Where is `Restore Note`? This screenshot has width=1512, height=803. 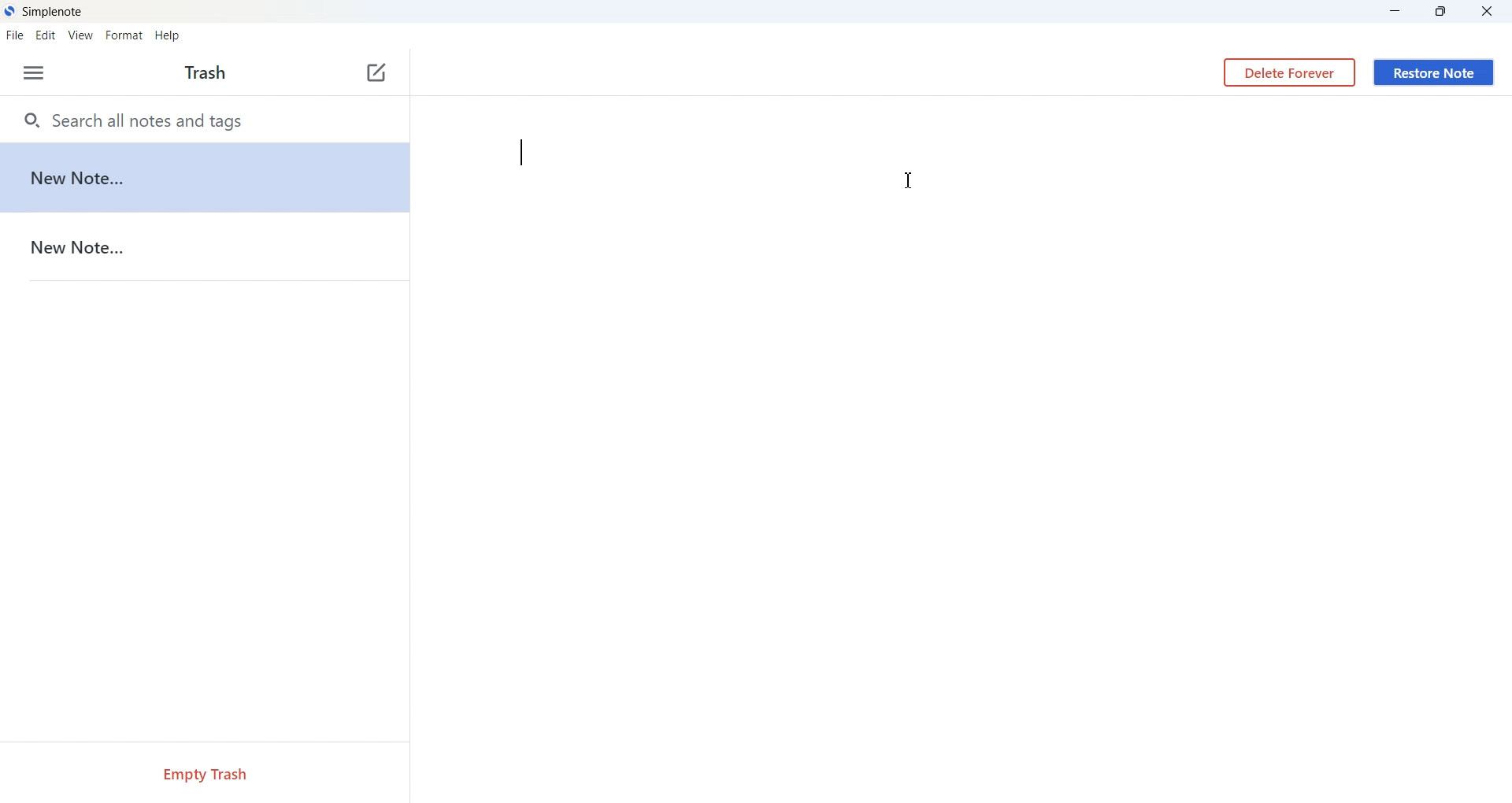
Restore Note is located at coordinates (1433, 73).